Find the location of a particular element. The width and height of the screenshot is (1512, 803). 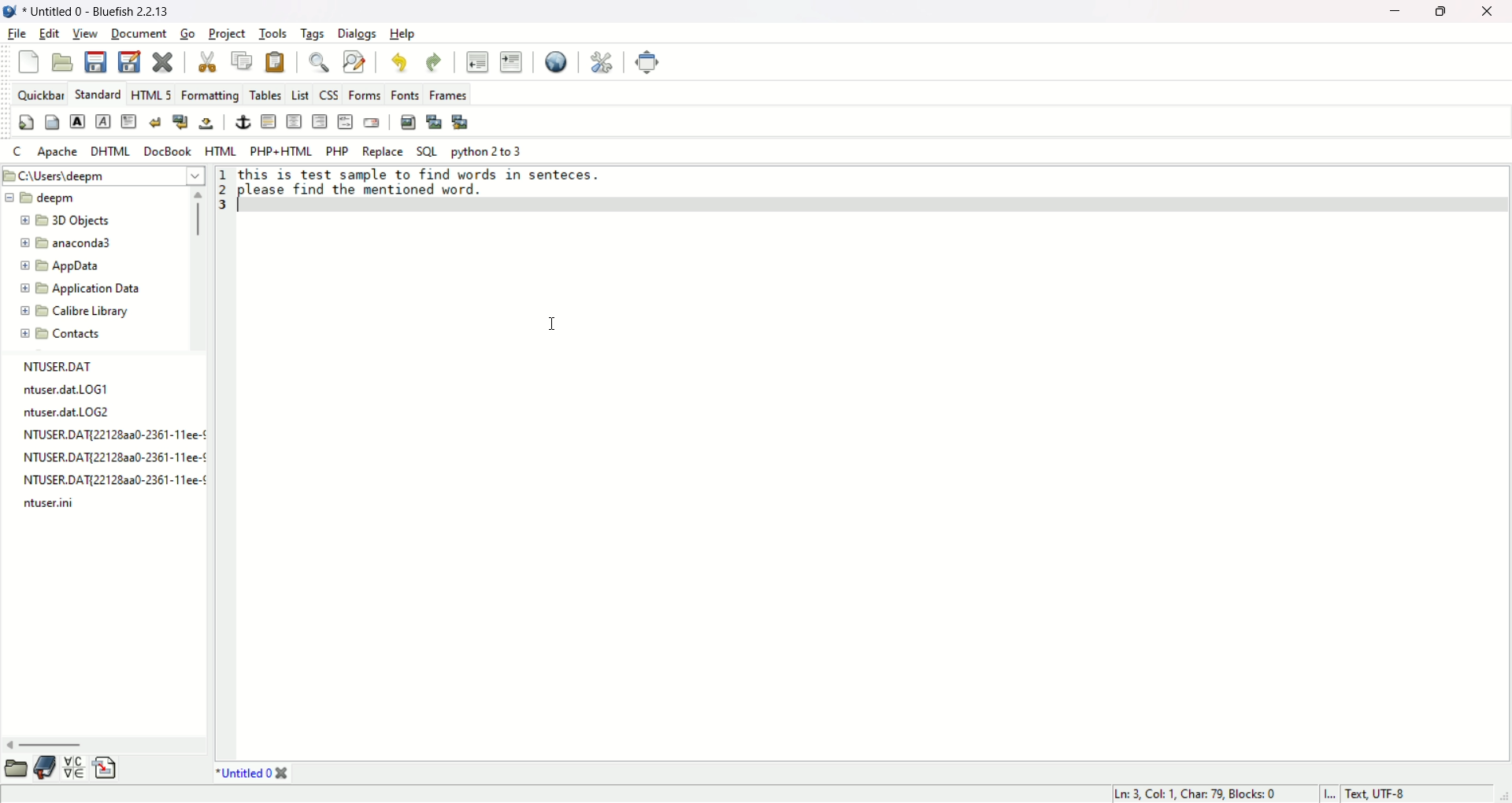

quickstart is located at coordinates (28, 121).